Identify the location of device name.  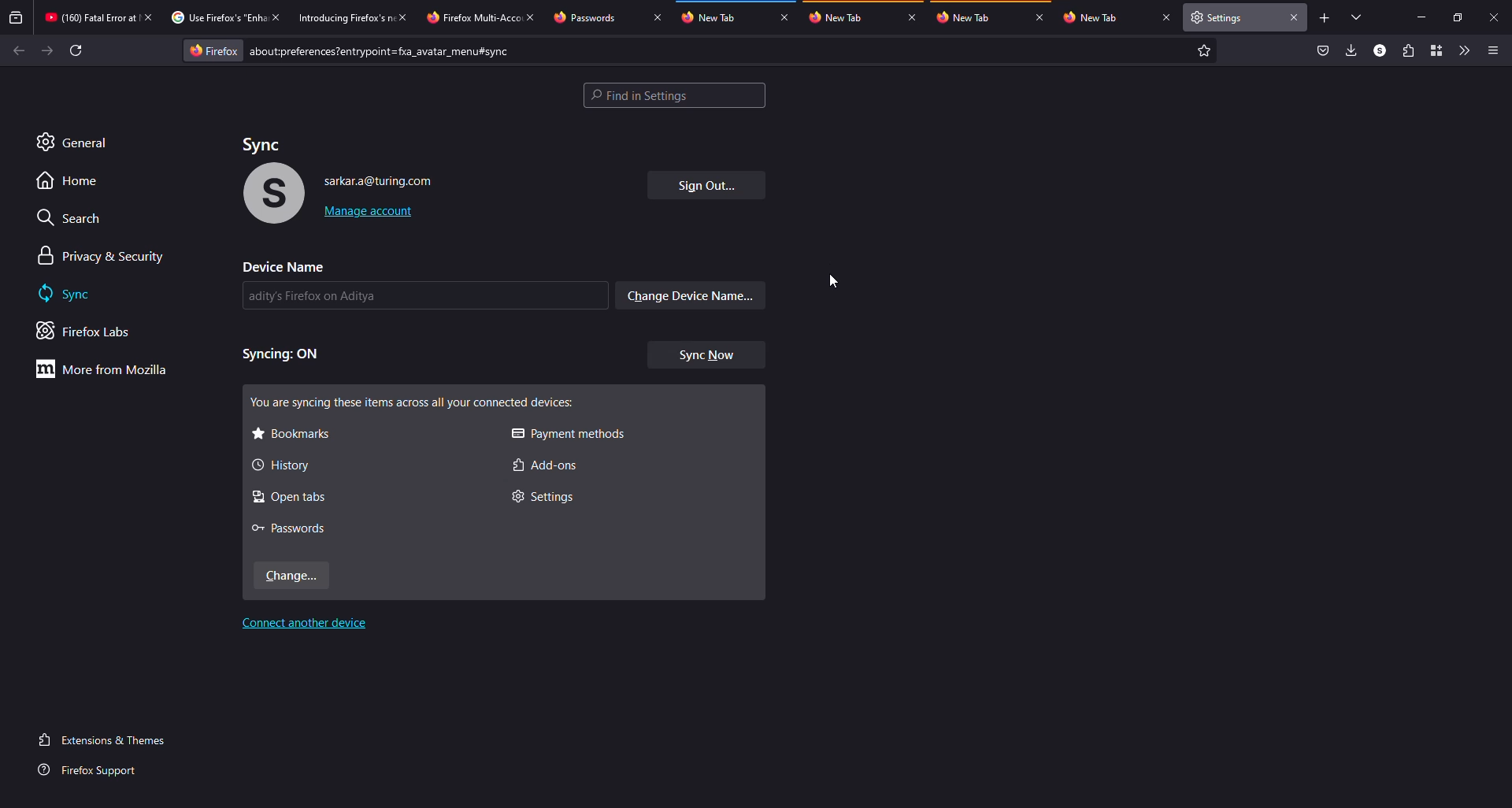
(283, 266).